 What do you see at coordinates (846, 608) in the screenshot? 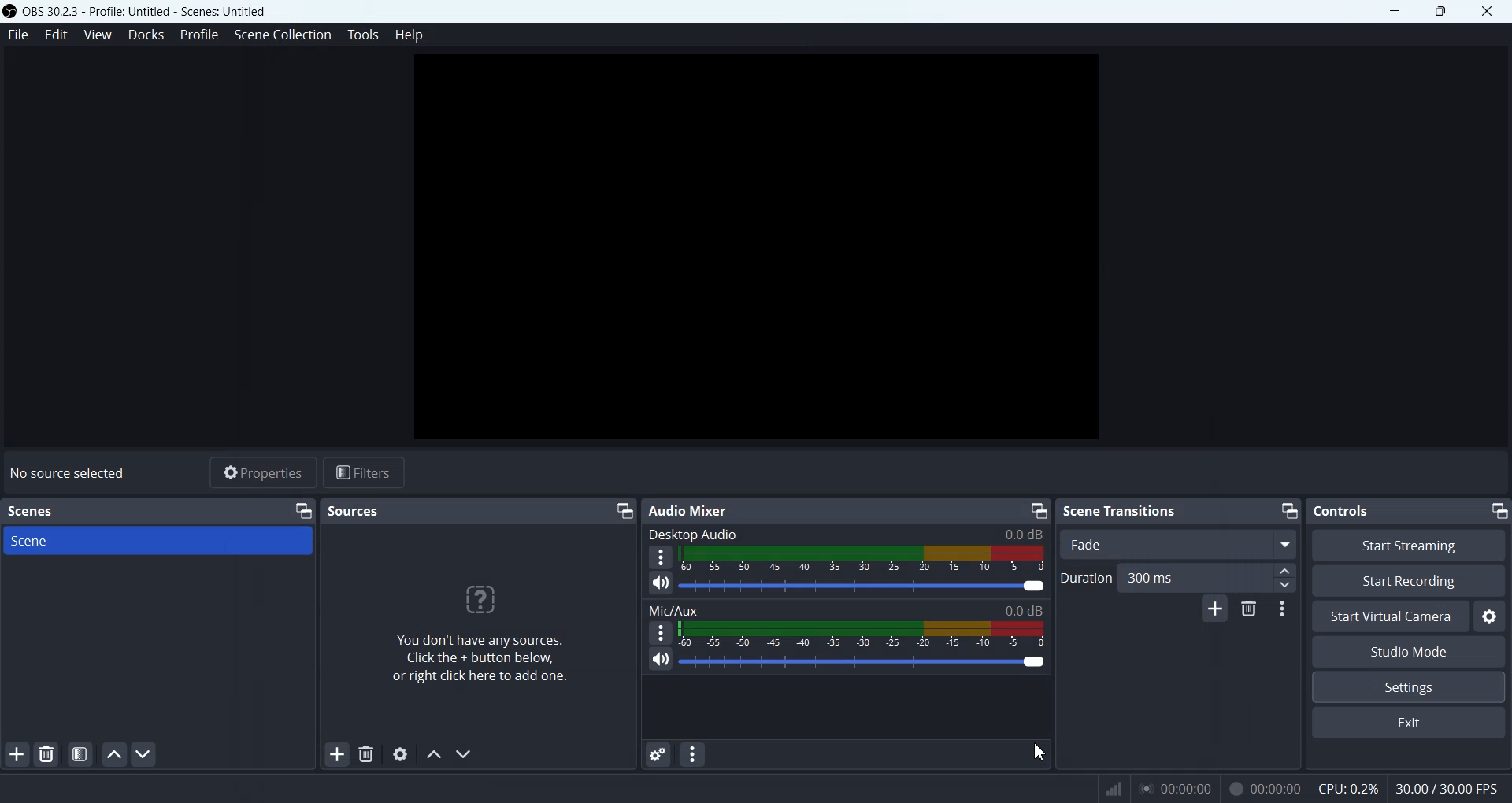
I see `Mix/Aux 0.0 dB` at bounding box center [846, 608].